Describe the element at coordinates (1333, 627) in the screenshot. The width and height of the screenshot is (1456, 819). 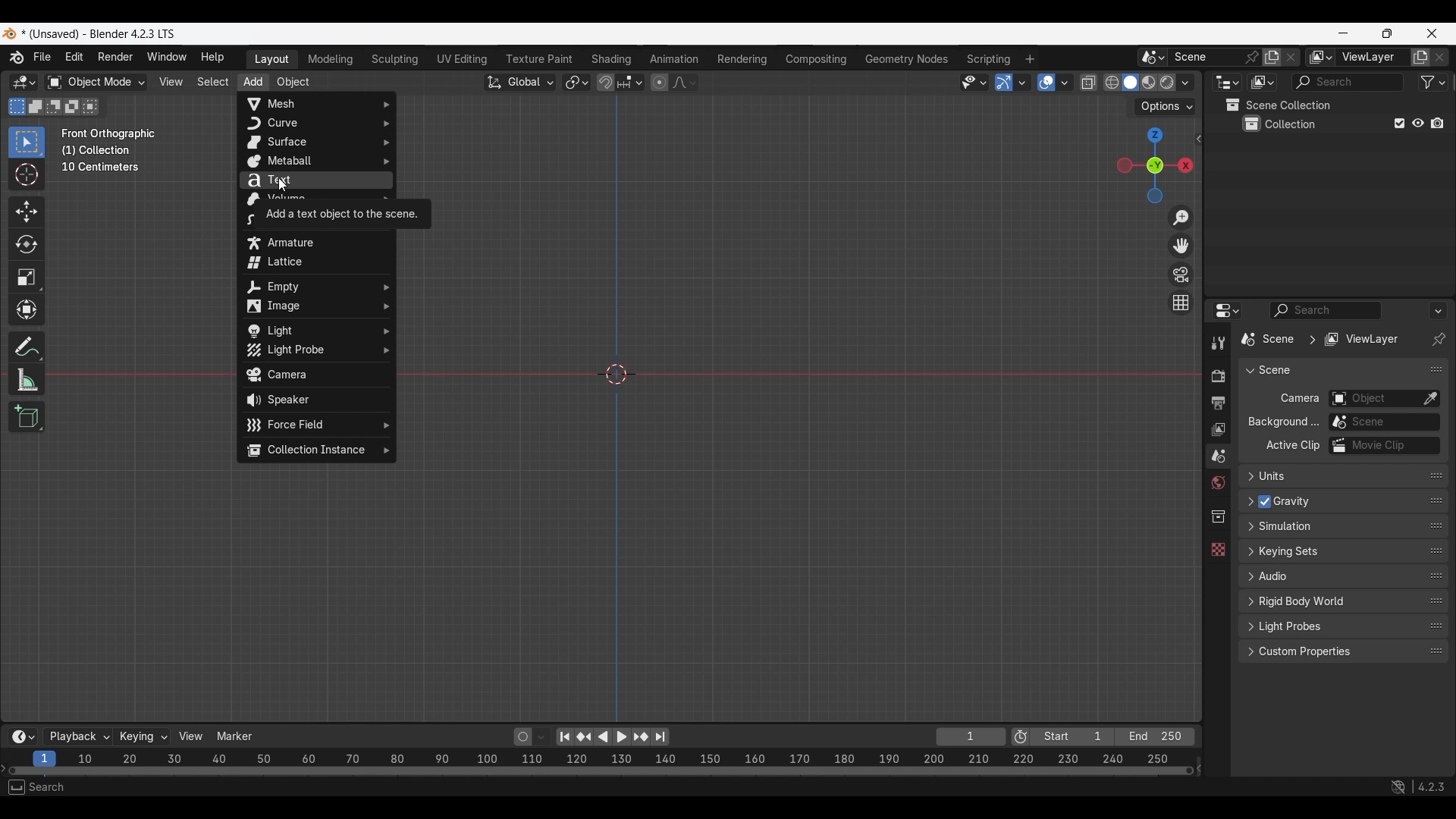
I see `Click to expand Light Probes` at that location.